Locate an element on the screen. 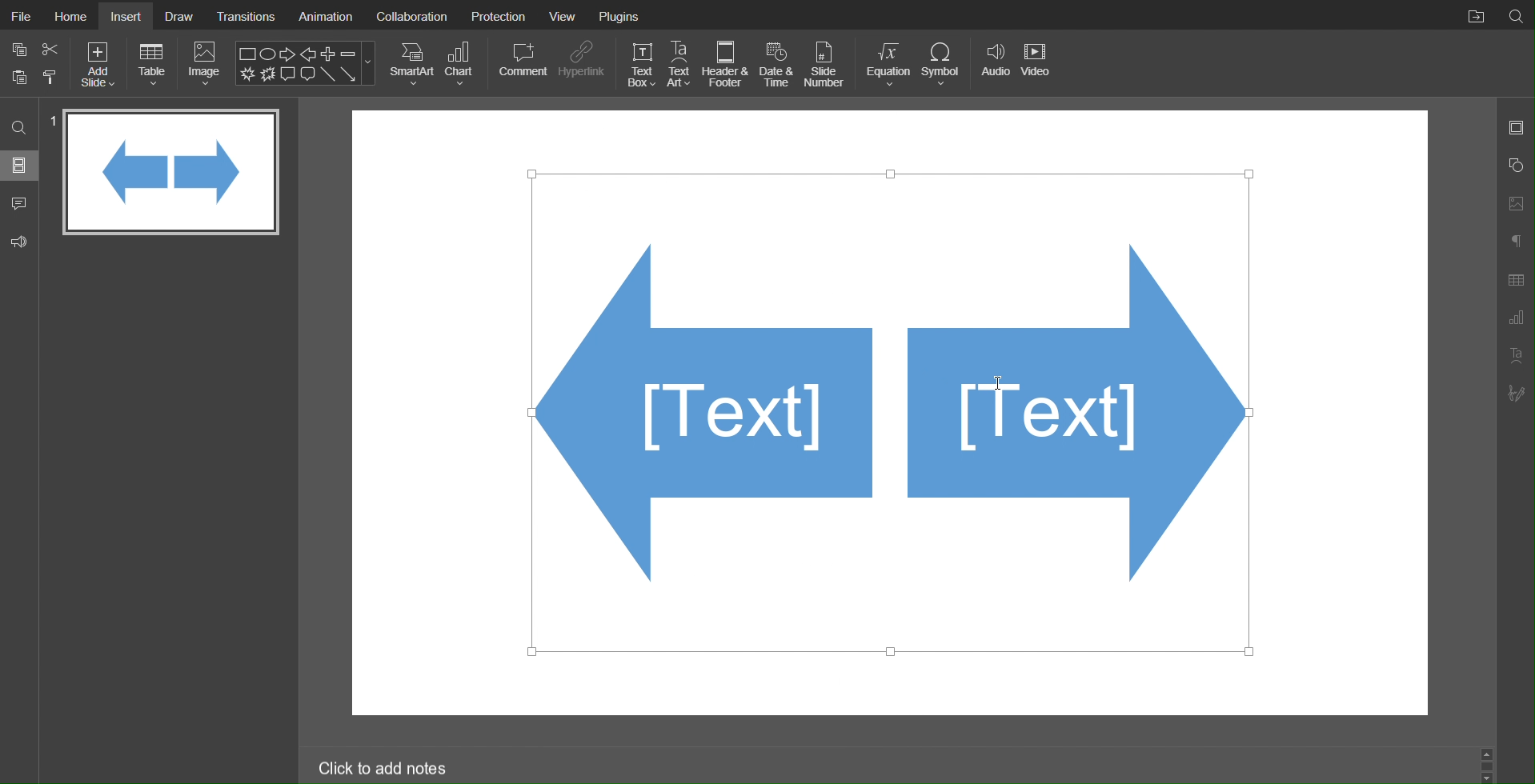 This screenshot has width=1535, height=784. Shape Settings is located at coordinates (1515, 166).